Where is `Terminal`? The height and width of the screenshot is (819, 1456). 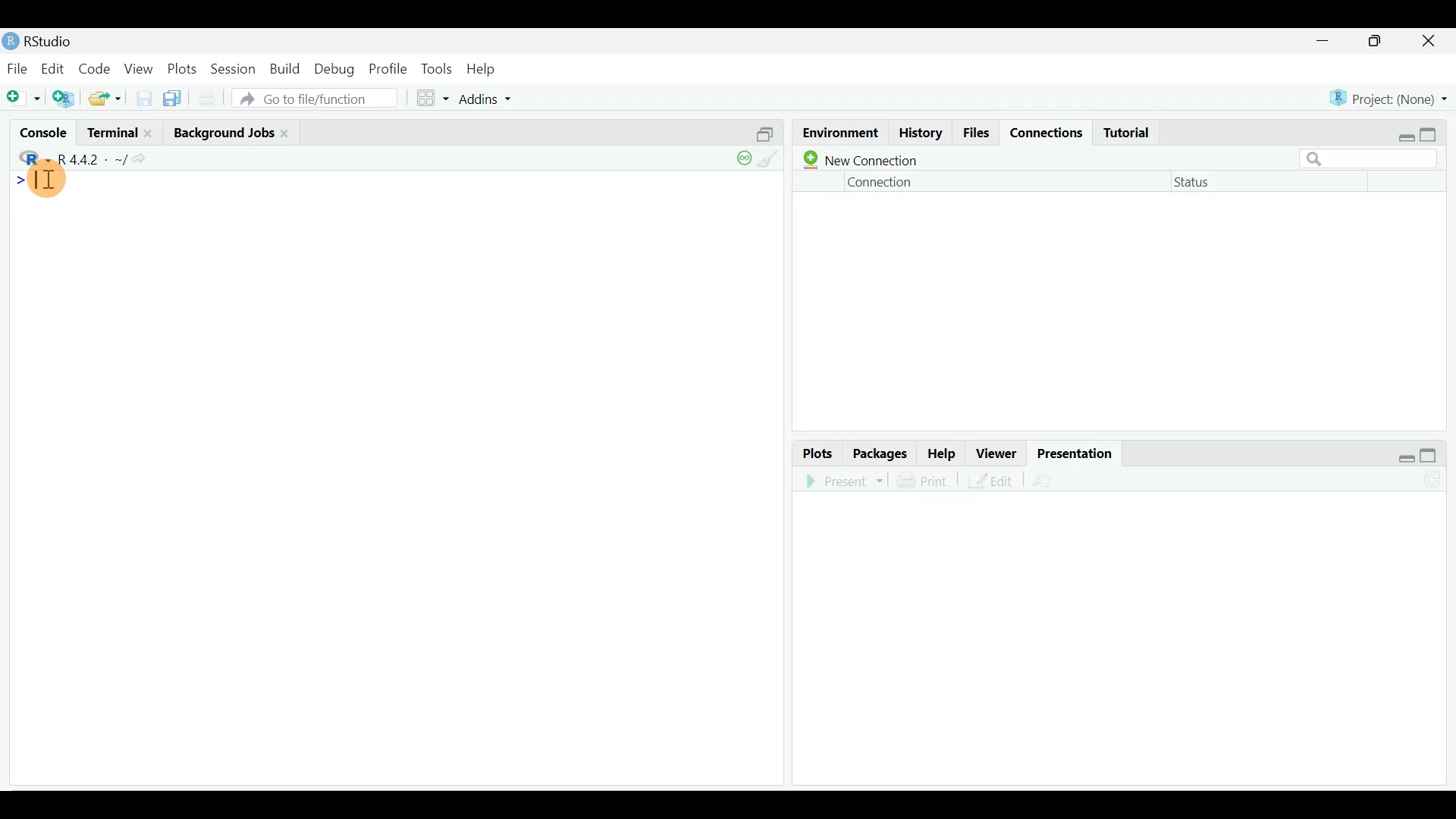 Terminal is located at coordinates (112, 133).